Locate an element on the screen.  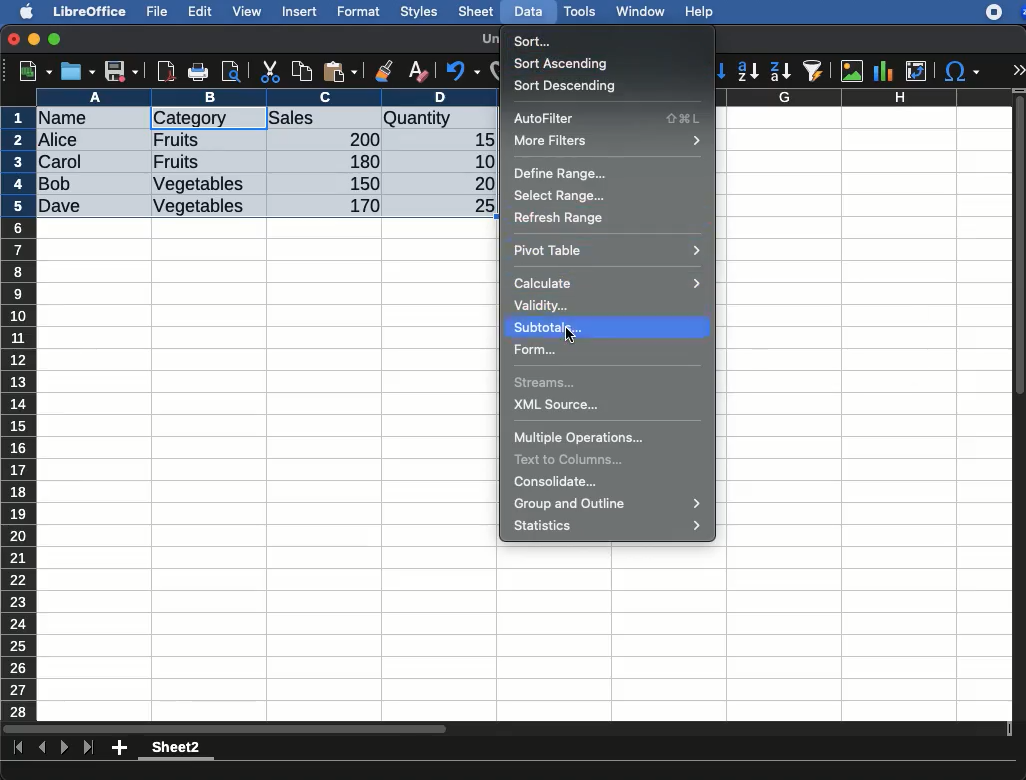
last sheet is located at coordinates (88, 748).